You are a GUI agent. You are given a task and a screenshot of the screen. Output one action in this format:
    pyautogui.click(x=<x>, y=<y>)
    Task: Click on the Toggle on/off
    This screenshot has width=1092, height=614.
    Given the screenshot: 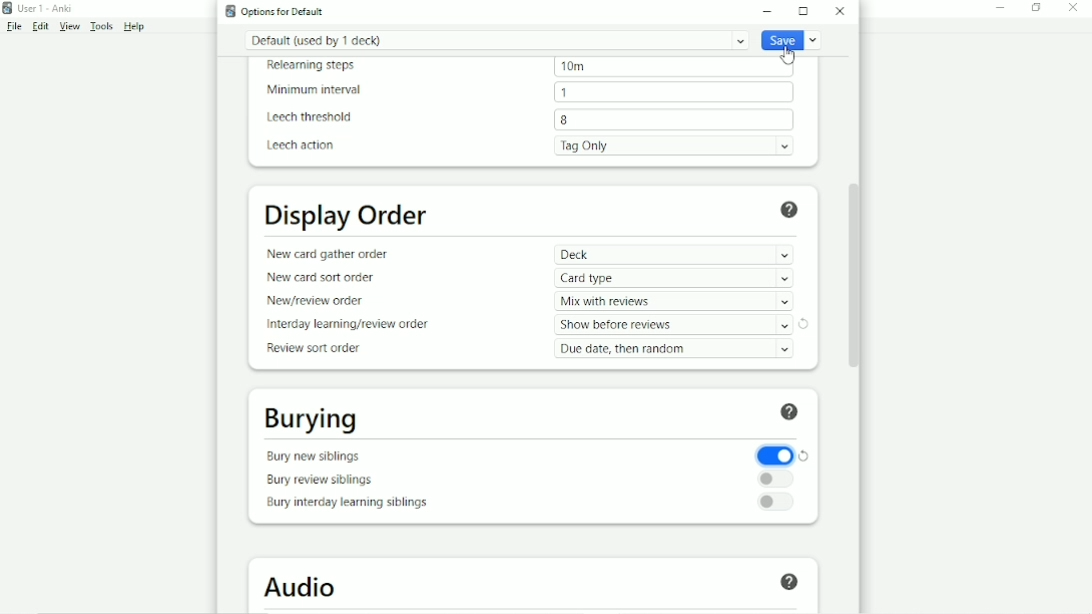 What is the action you would take?
    pyautogui.click(x=775, y=454)
    